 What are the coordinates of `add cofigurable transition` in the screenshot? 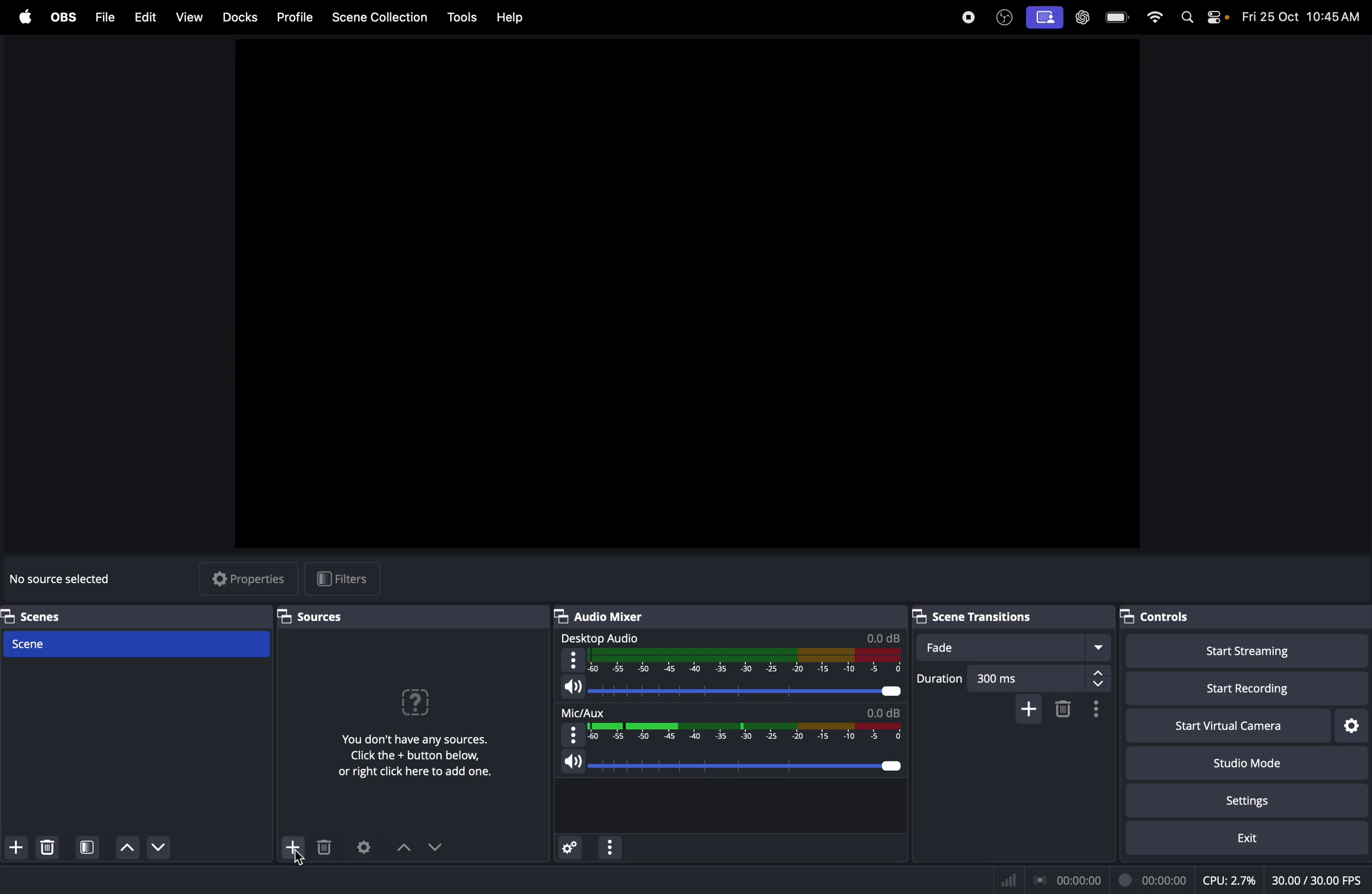 It's located at (1028, 709).